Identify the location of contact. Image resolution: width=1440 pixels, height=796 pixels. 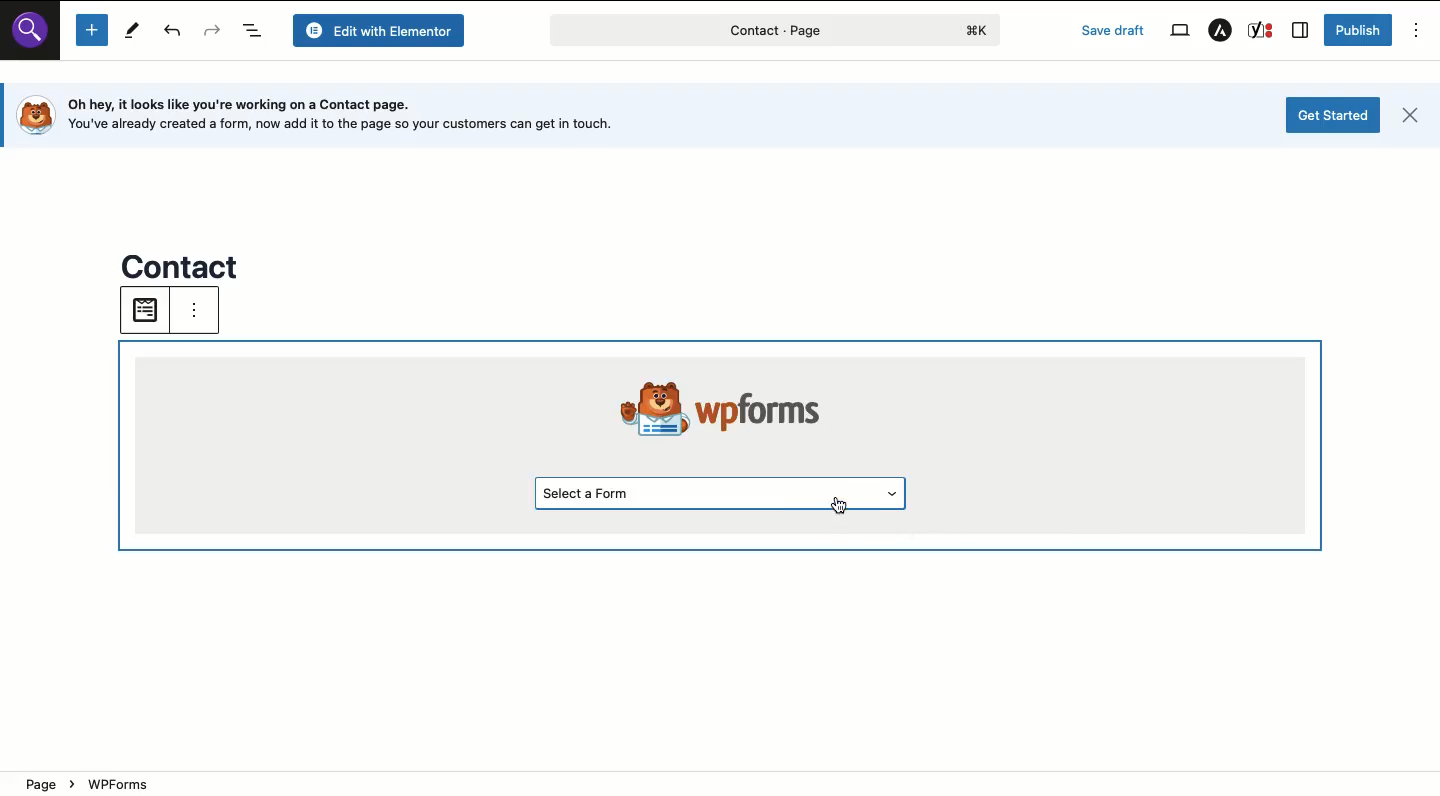
(183, 263).